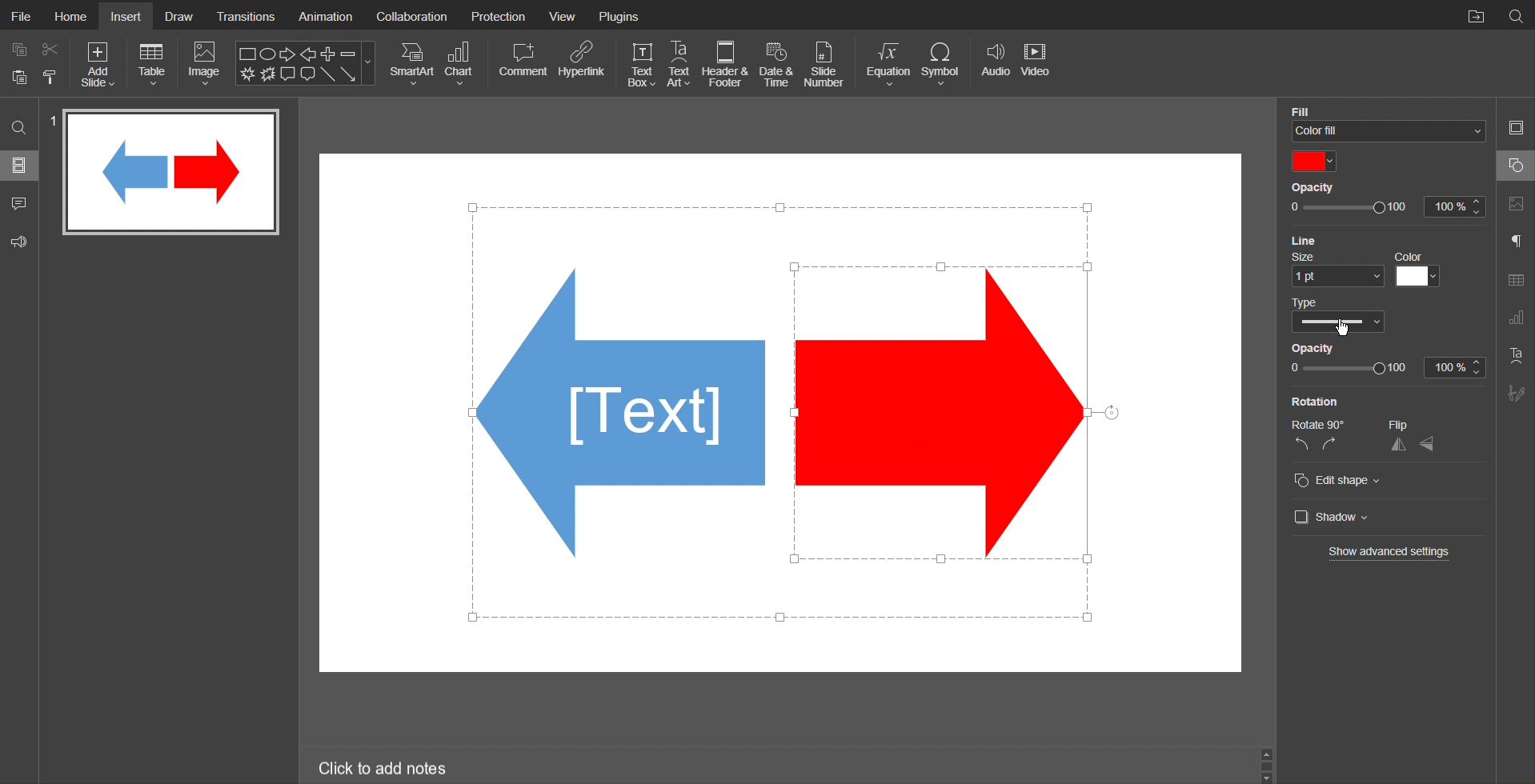 The width and height of the screenshot is (1535, 784). What do you see at coordinates (1515, 393) in the screenshot?
I see `Signature` at bounding box center [1515, 393].